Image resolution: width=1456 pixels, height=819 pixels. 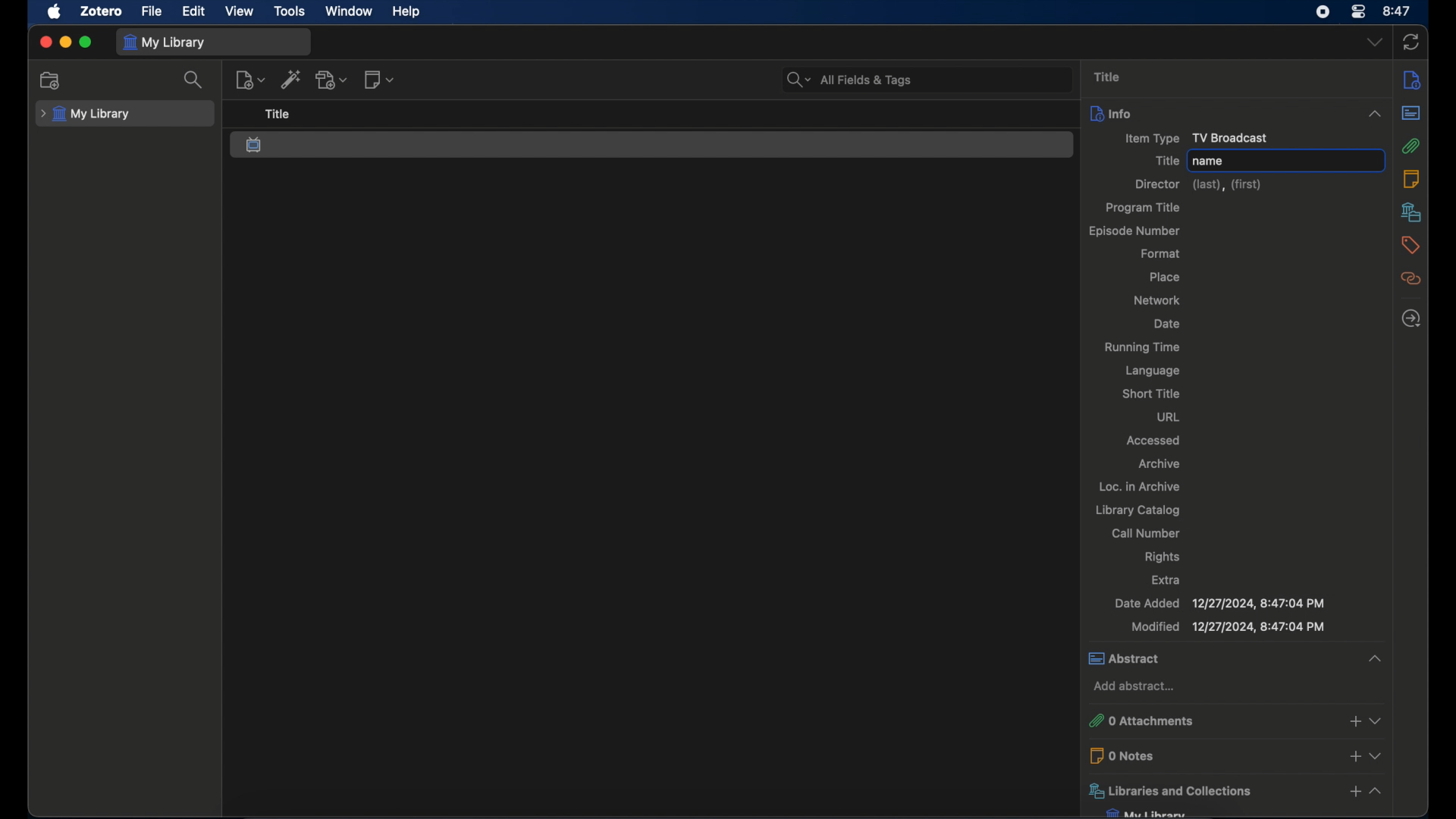 What do you see at coordinates (1143, 348) in the screenshot?
I see `running time` at bounding box center [1143, 348].